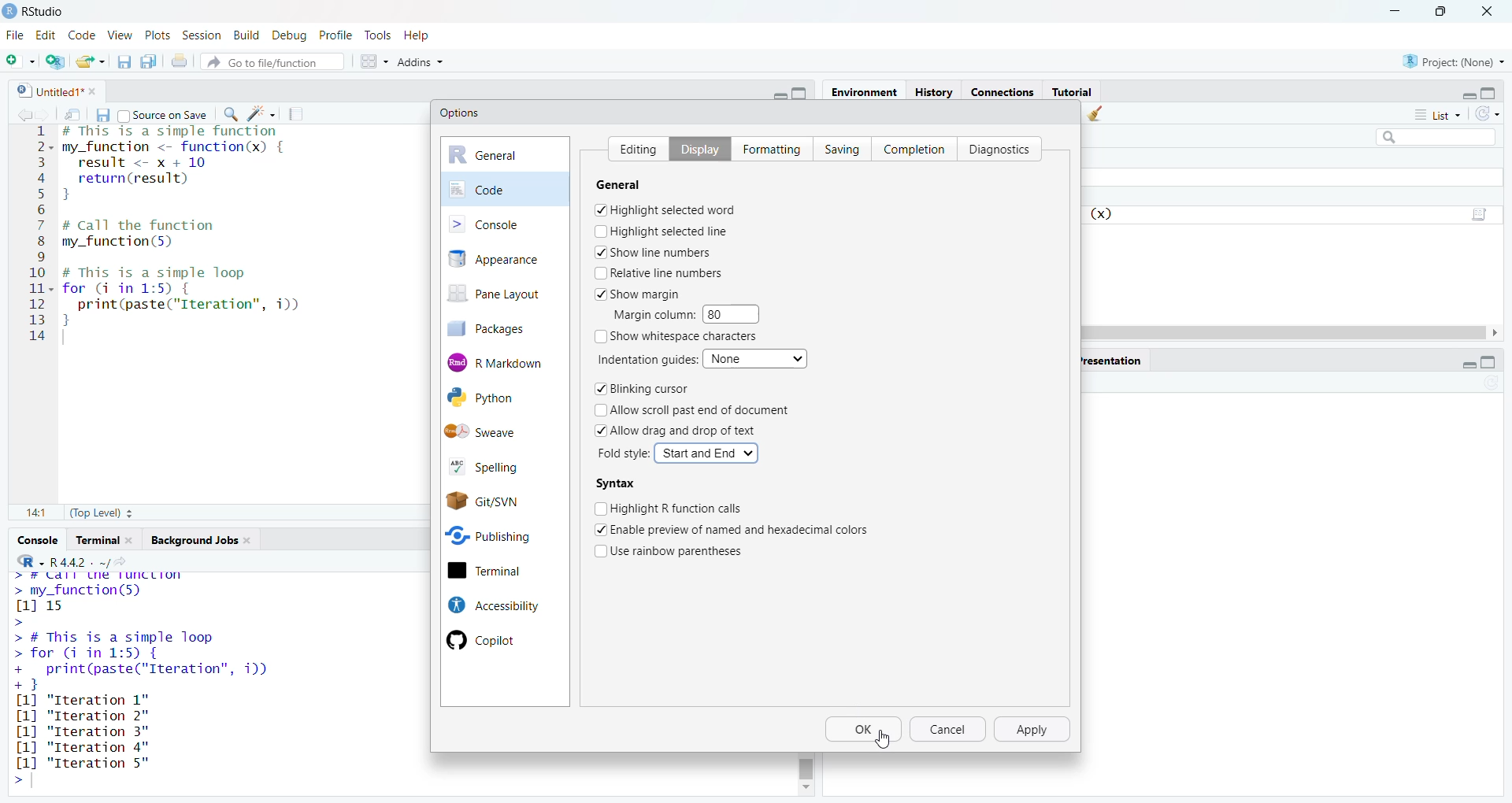 The image size is (1512, 803). What do you see at coordinates (505, 259) in the screenshot?
I see `appearance` at bounding box center [505, 259].